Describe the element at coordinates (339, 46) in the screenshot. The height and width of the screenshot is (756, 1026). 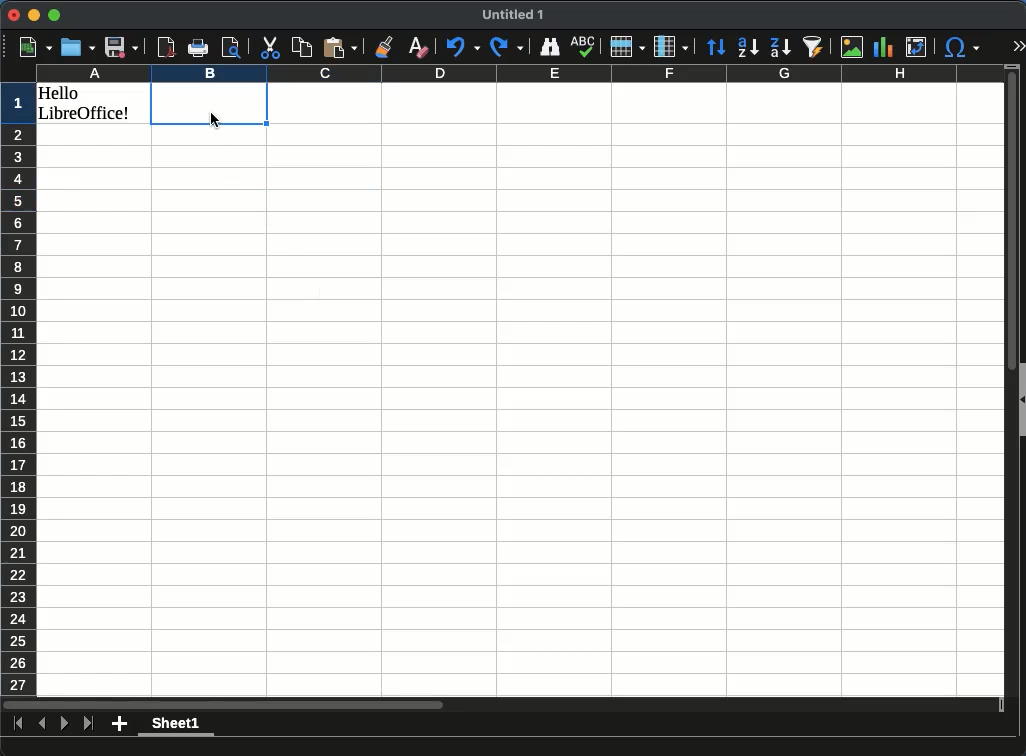
I see `paste` at that location.